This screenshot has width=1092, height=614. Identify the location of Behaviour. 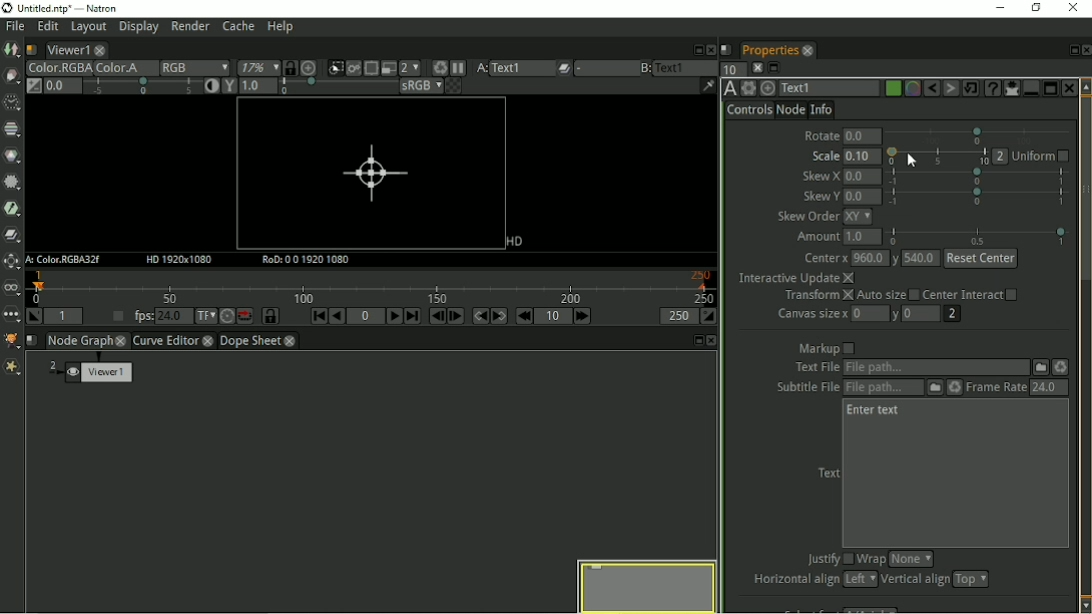
(245, 315).